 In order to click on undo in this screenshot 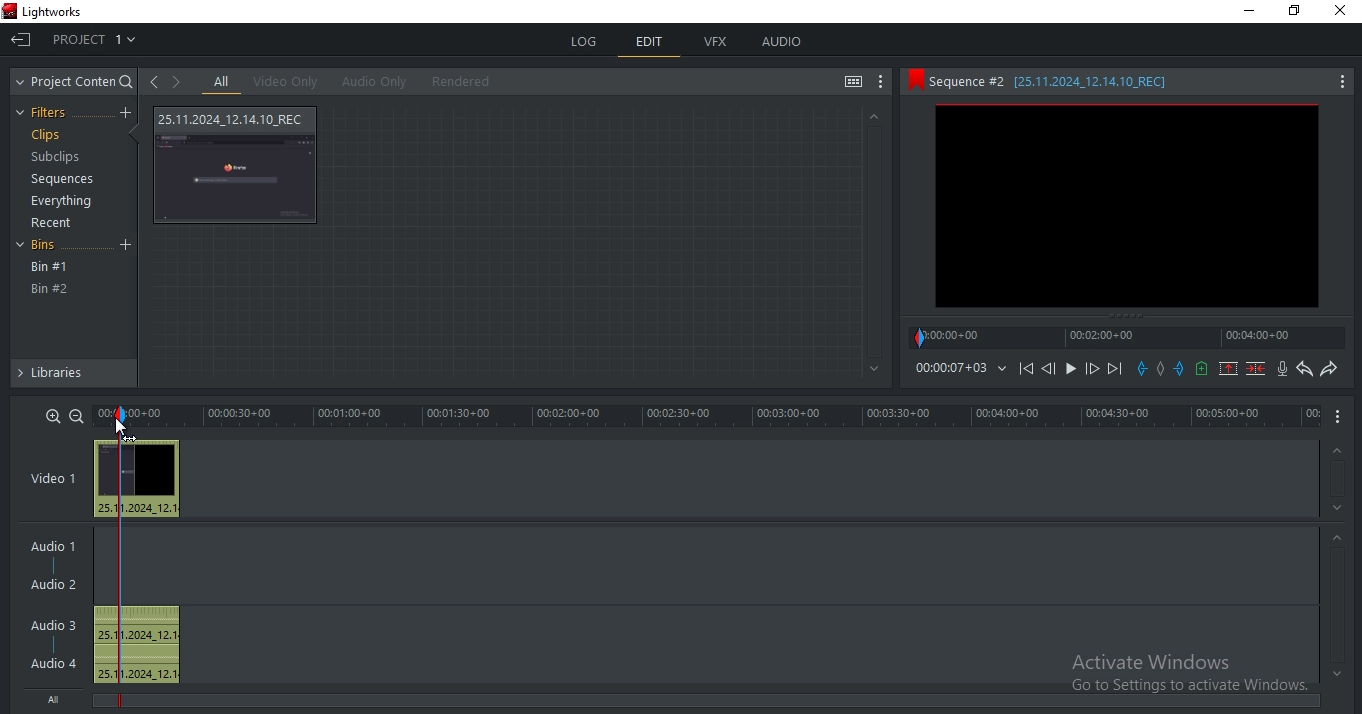, I will do `click(1305, 369)`.